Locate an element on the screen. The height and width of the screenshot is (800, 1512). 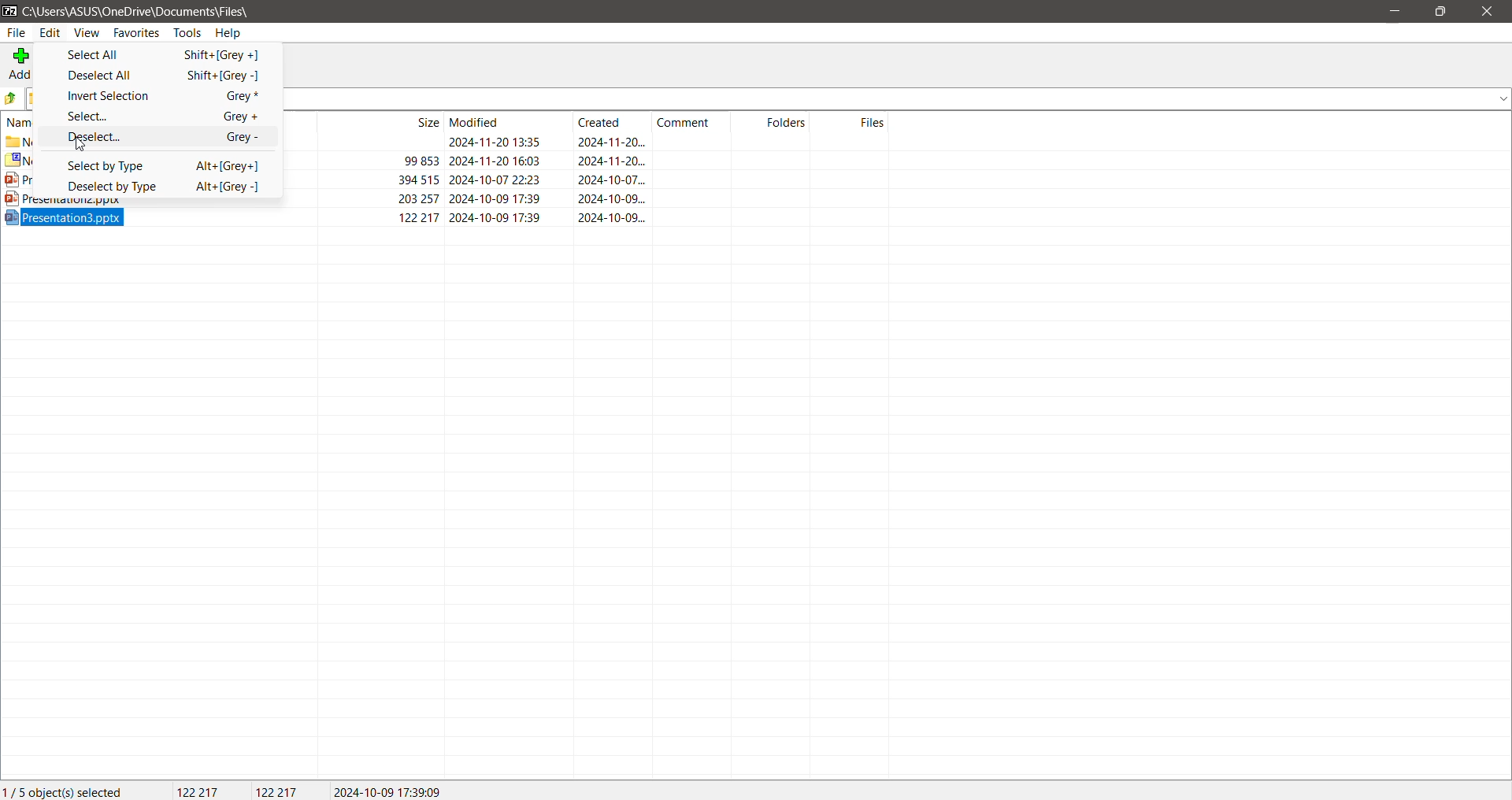
new folder is located at coordinates (586, 142).